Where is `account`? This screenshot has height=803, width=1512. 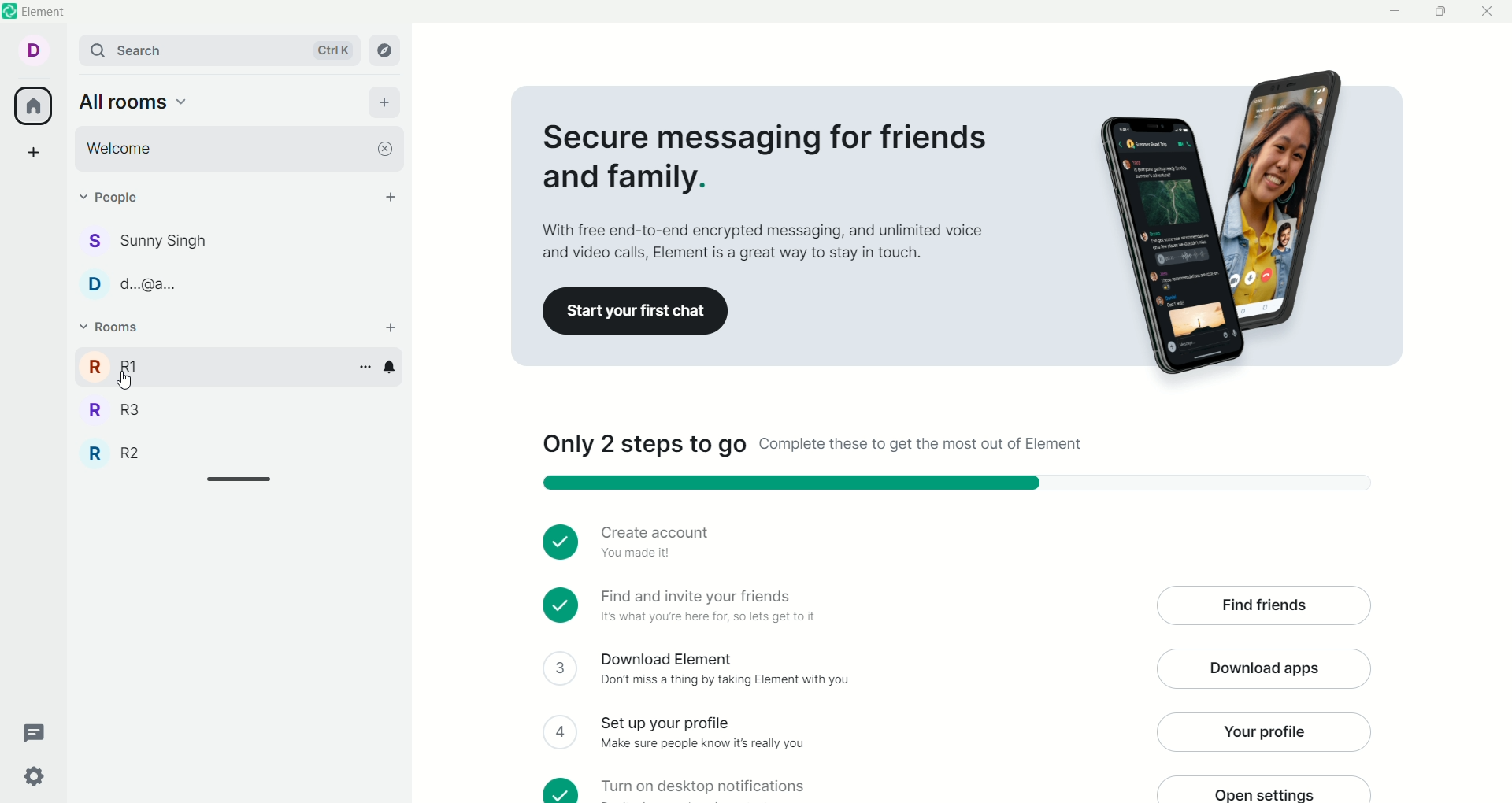
account is located at coordinates (33, 50).